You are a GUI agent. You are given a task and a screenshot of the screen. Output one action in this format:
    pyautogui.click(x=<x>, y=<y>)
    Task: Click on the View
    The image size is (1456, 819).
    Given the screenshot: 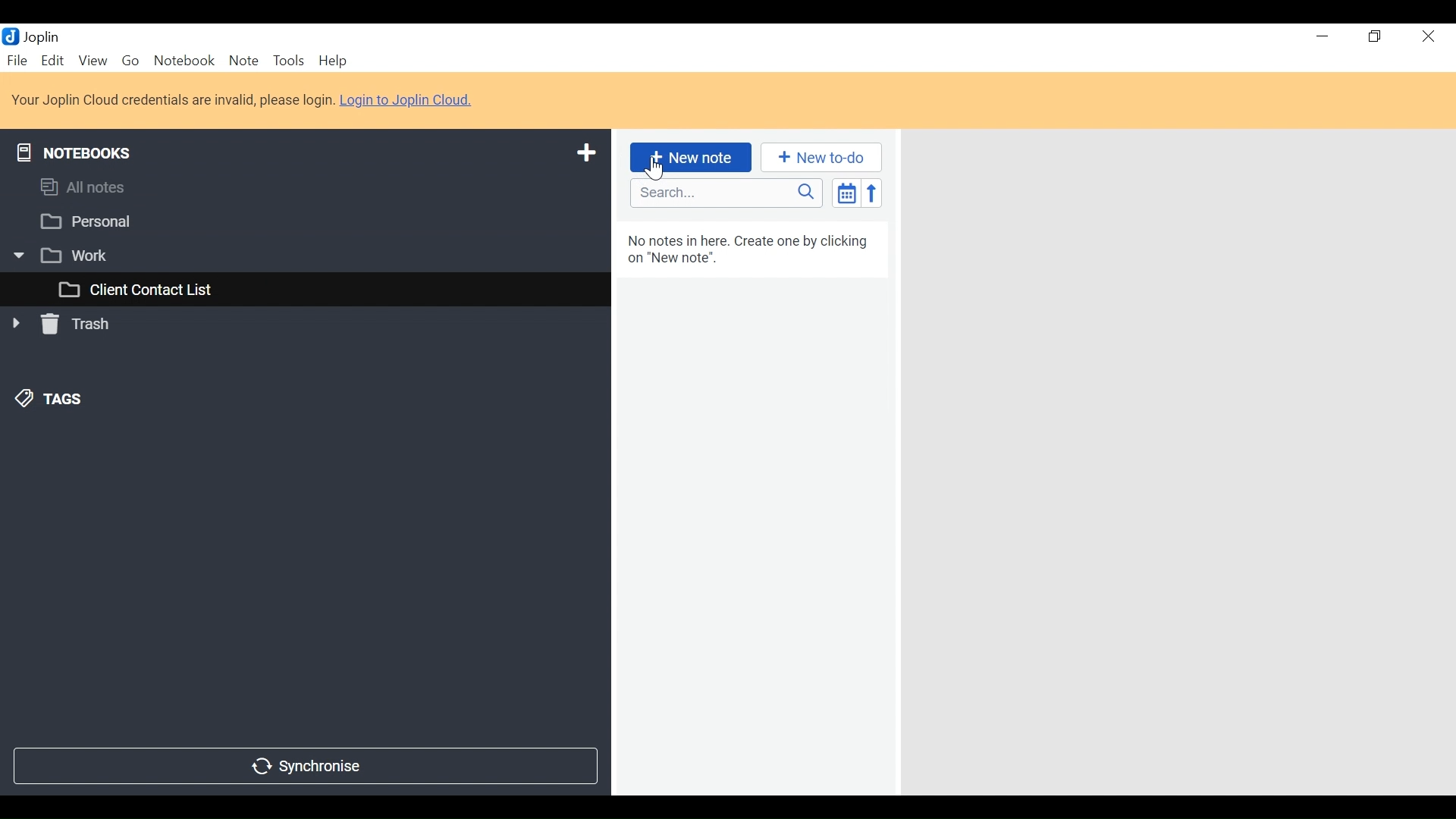 What is the action you would take?
    pyautogui.click(x=93, y=61)
    